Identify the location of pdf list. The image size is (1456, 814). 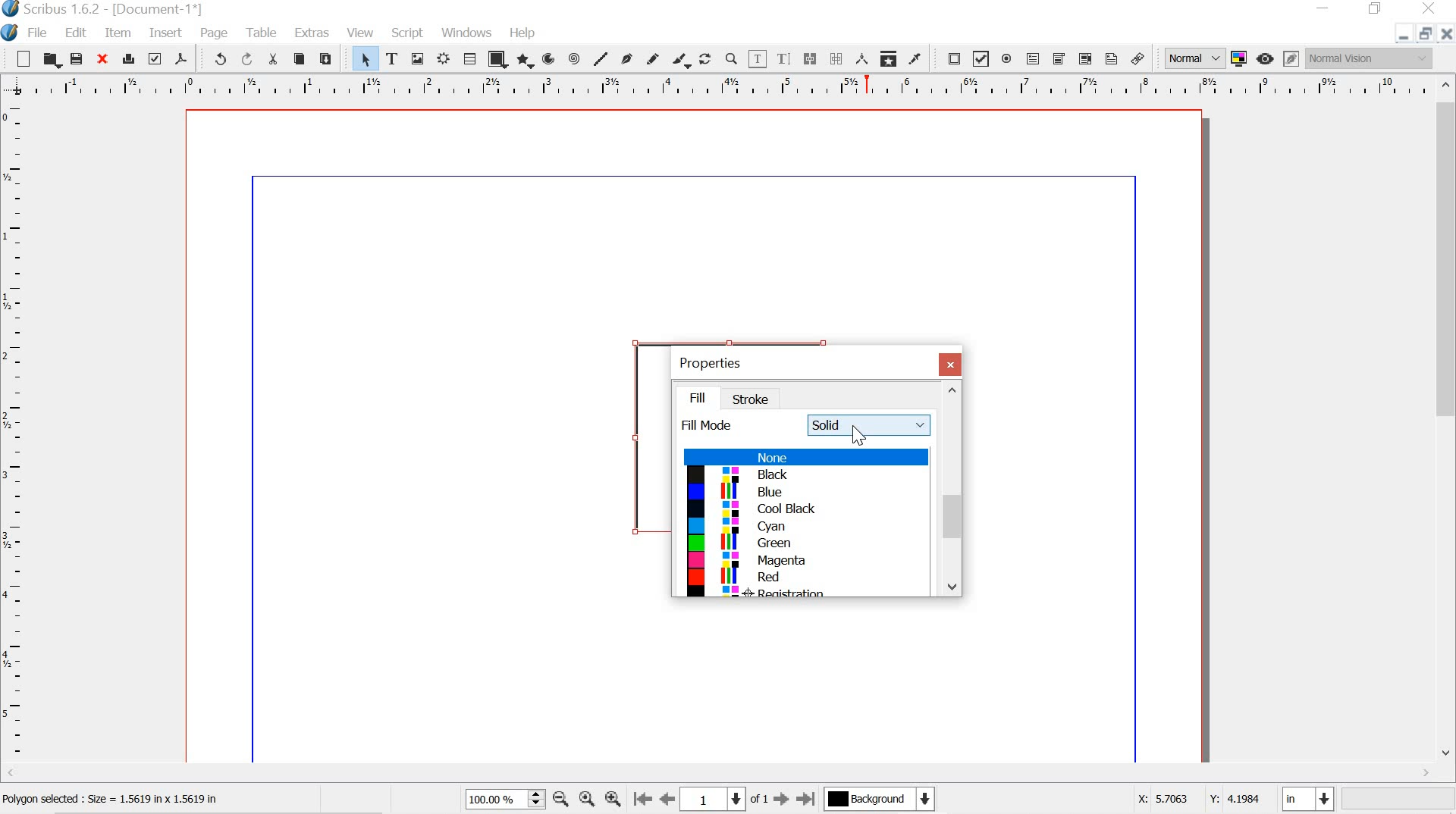
(1084, 58).